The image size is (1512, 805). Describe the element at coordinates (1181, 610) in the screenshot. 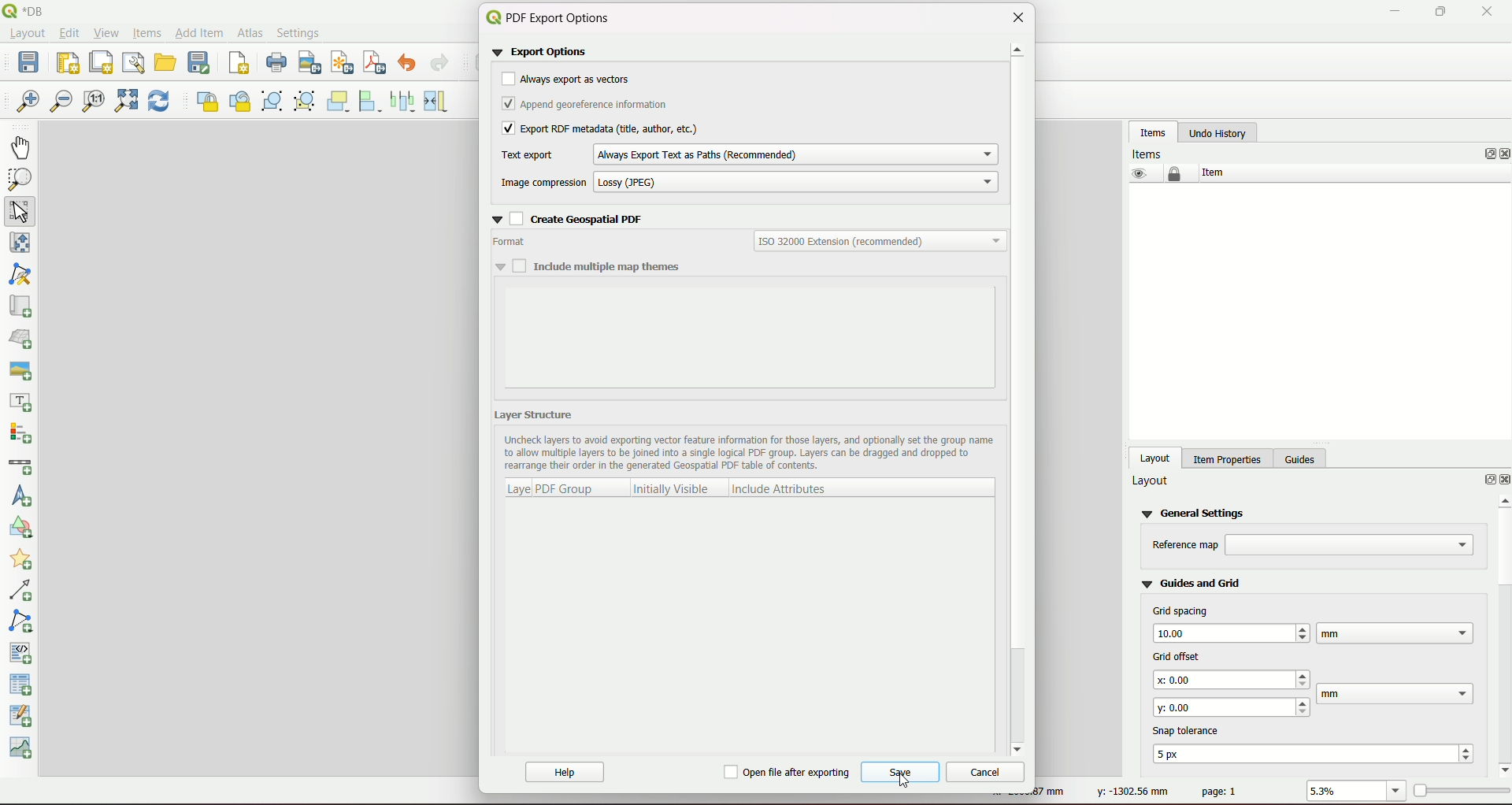

I see `grid spacing` at that location.